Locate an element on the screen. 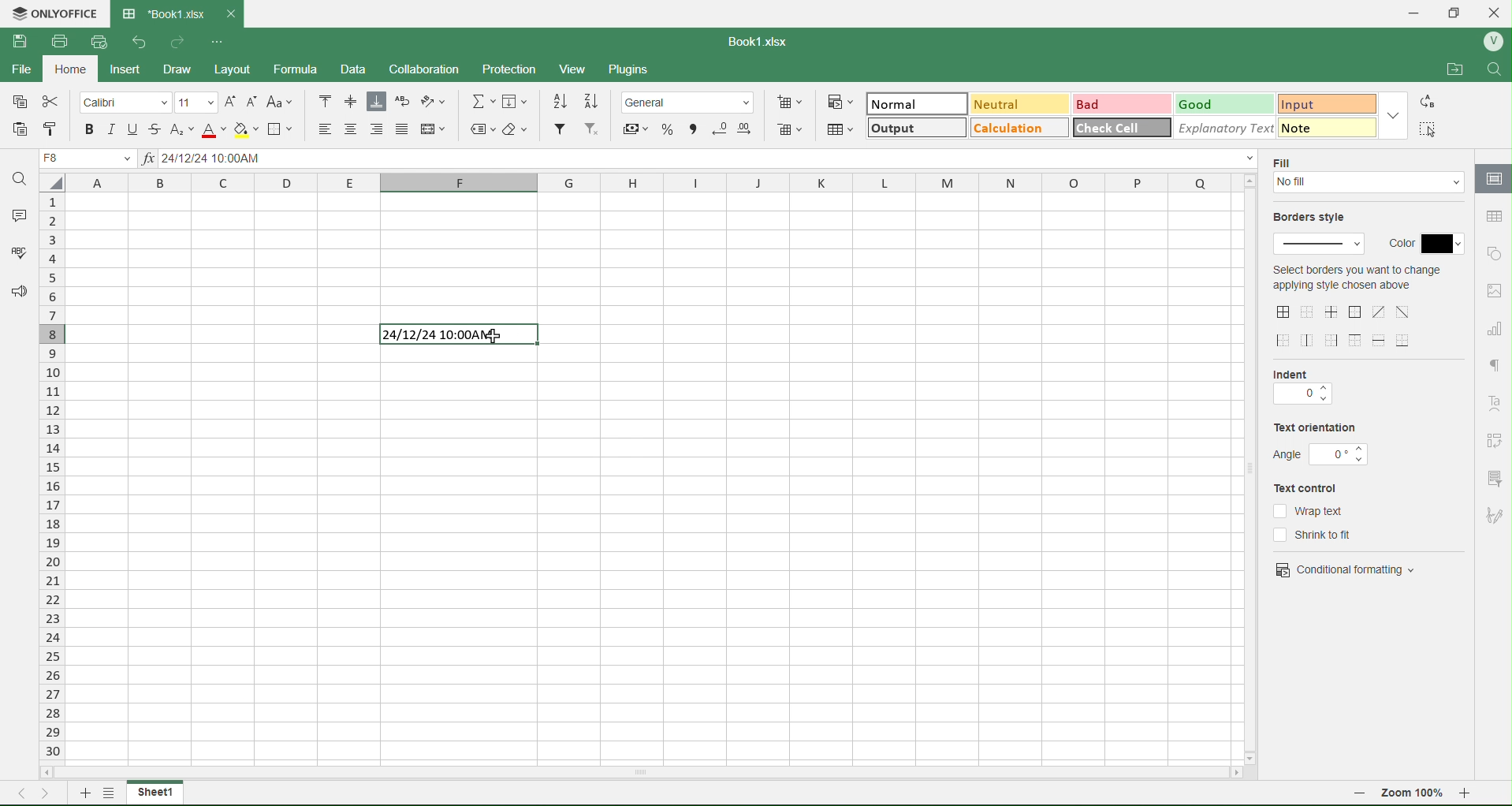 This screenshot has width=1512, height=806. Redo is located at coordinates (179, 41).